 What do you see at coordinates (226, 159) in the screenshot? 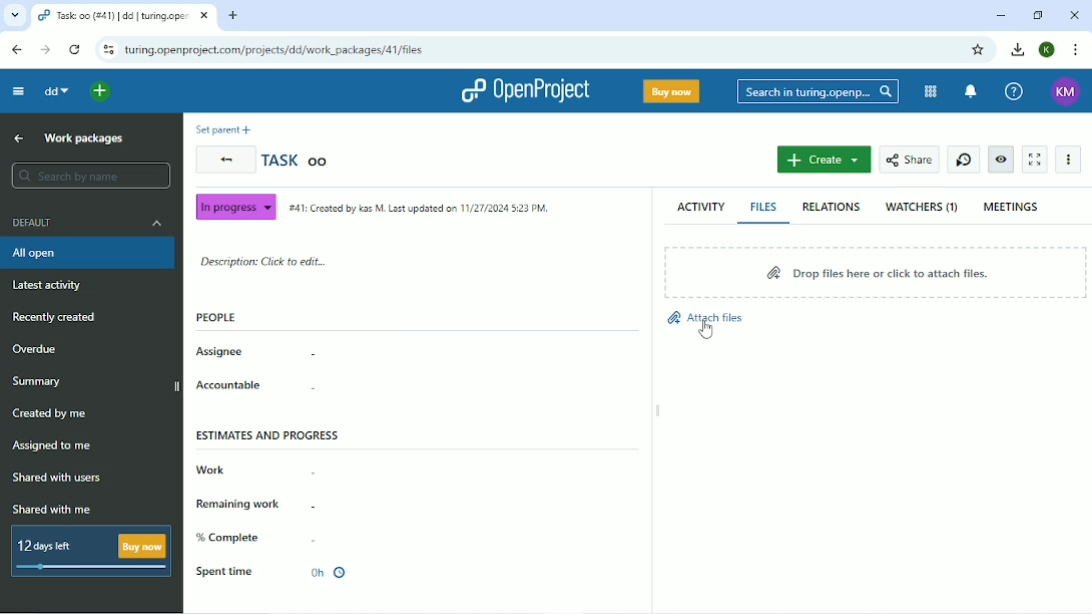
I see `Back` at bounding box center [226, 159].